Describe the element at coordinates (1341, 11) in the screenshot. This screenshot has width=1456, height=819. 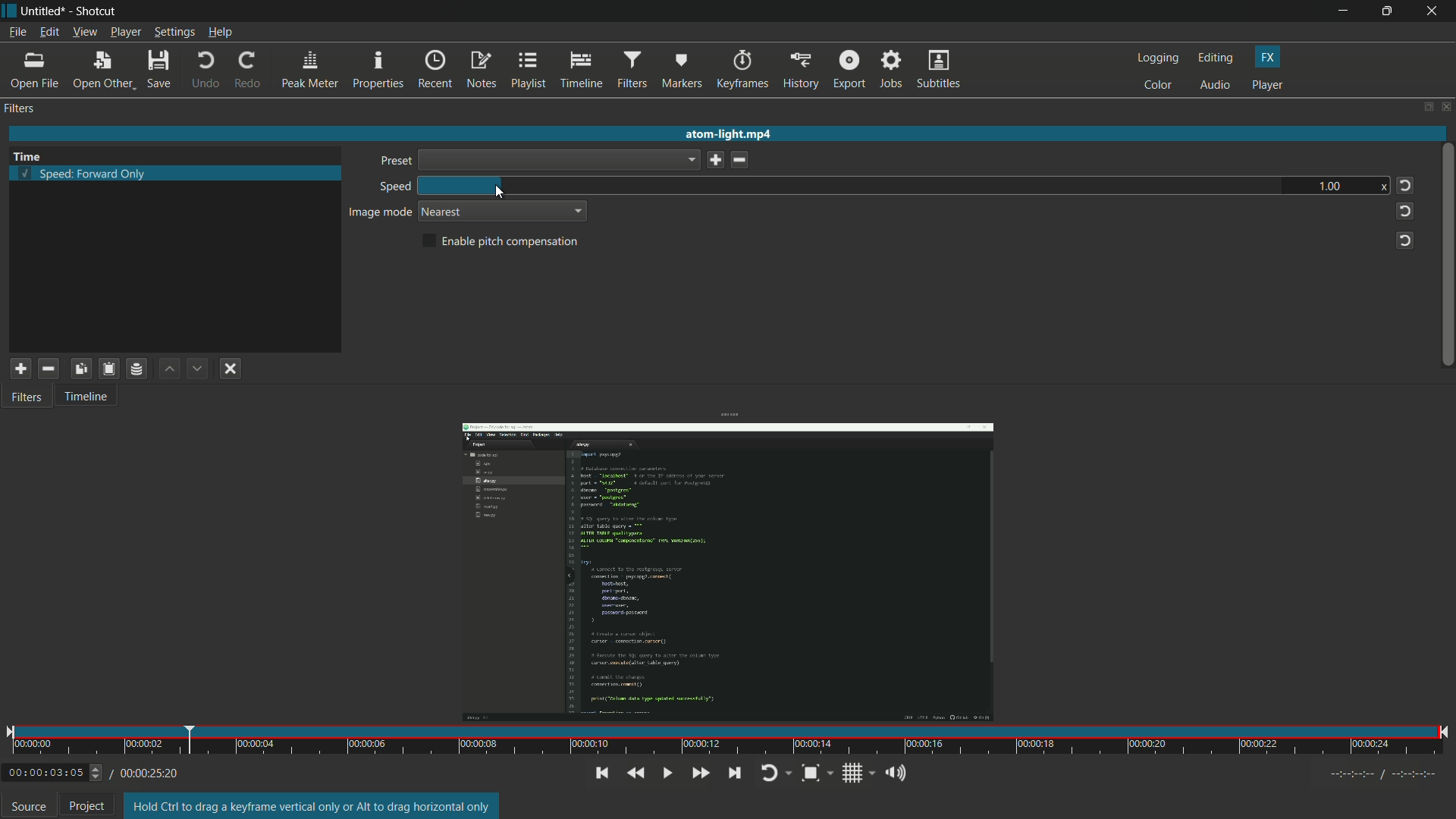
I see `minimize` at that location.